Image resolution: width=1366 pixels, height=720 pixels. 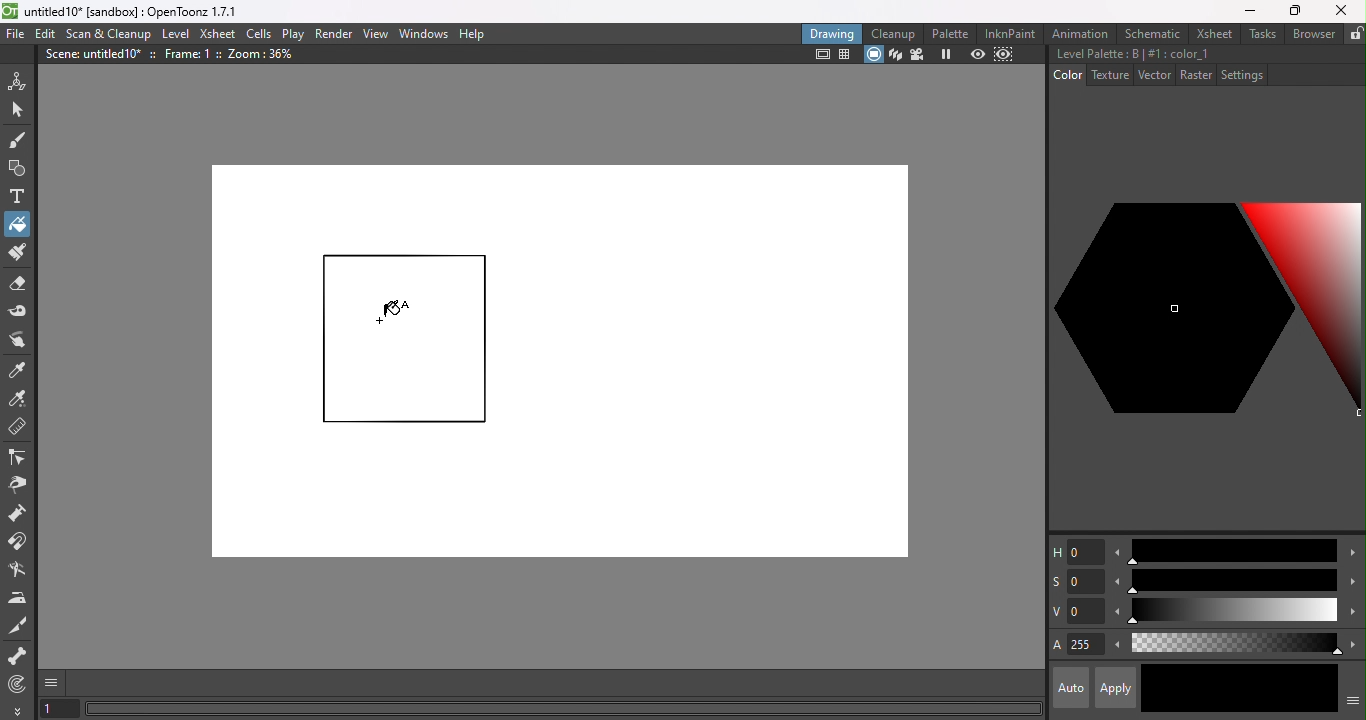 What do you see at coordinates (1132, 54) in the screenshot?
I see `Level Palette` at bounding box center [1132, 54].